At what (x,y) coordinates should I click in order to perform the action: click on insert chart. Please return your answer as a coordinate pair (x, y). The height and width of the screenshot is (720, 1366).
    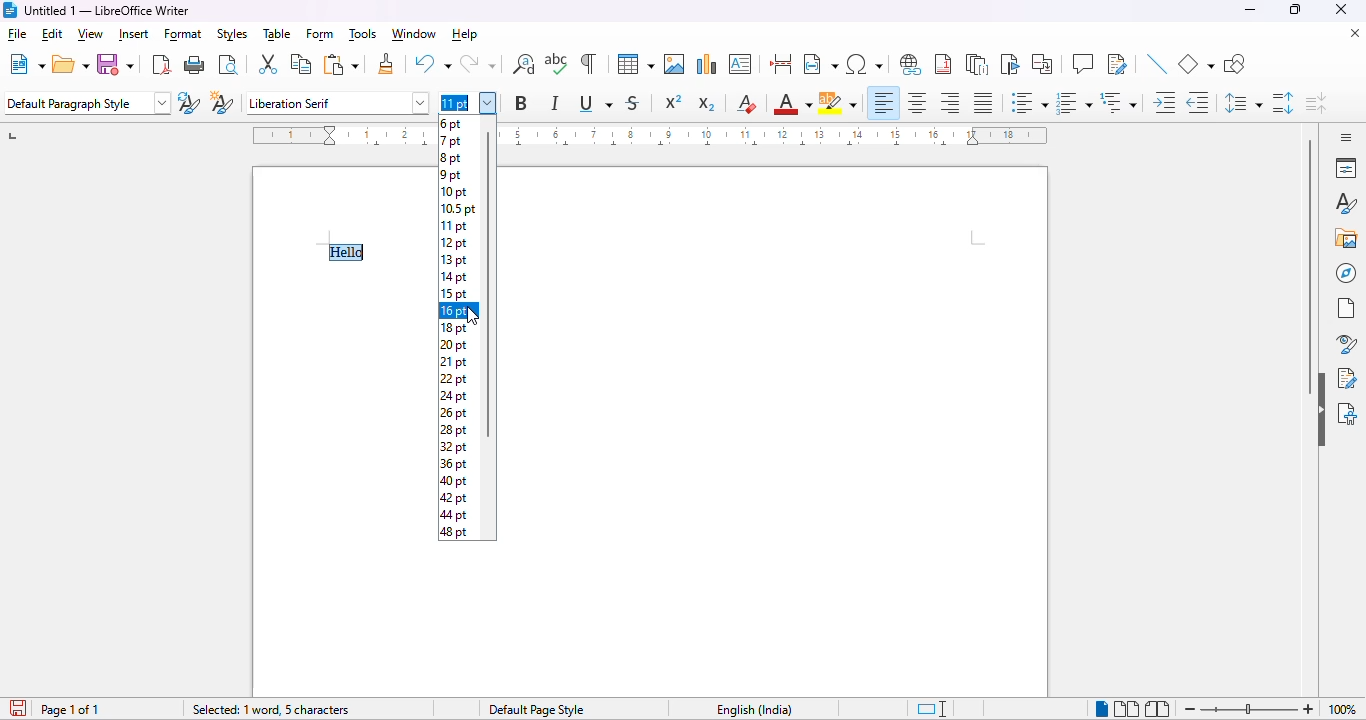
    Looking at the image, I should click on (707, 64).